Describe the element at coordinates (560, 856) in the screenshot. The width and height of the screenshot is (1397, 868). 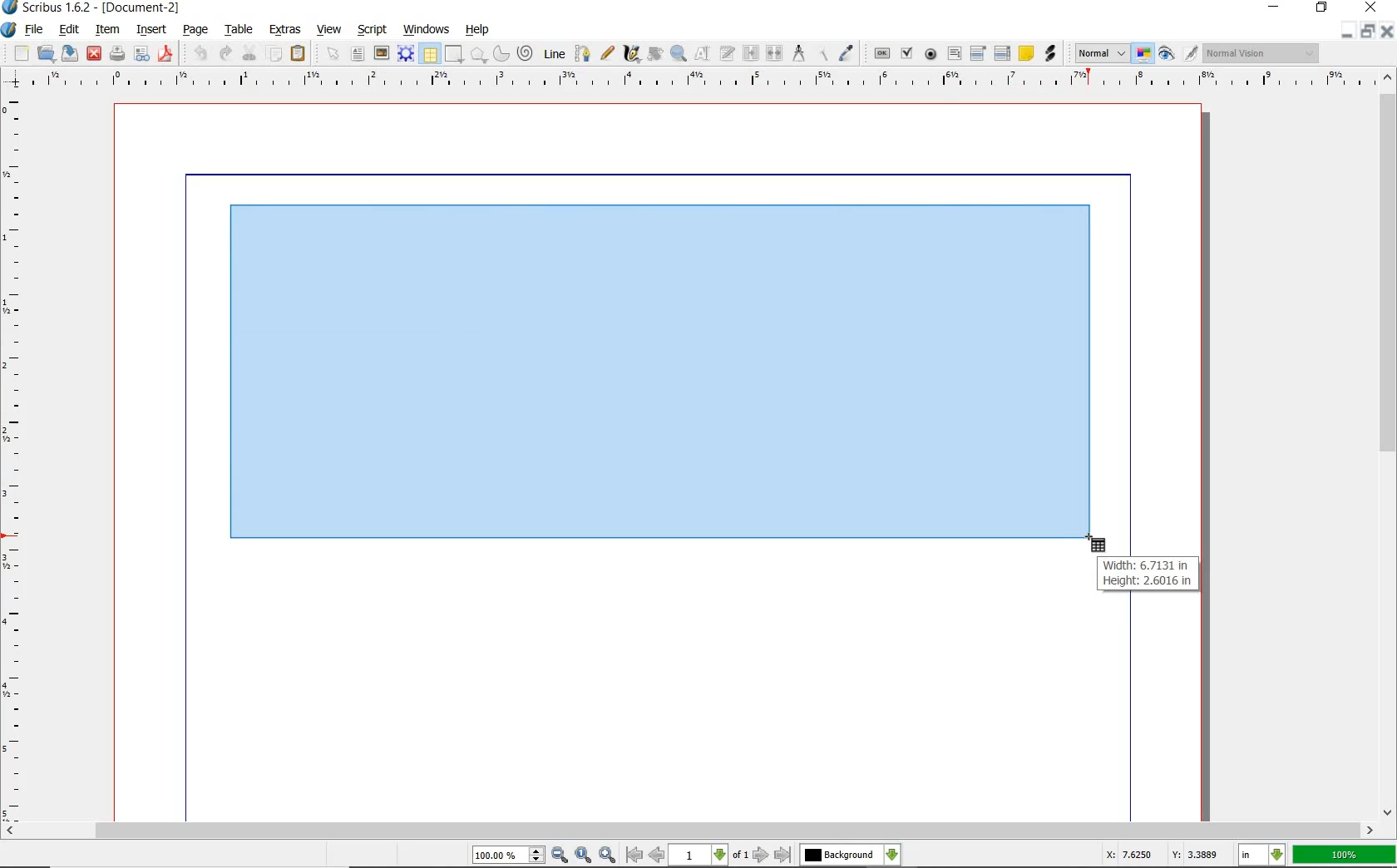
I see `zoom out` at that location.